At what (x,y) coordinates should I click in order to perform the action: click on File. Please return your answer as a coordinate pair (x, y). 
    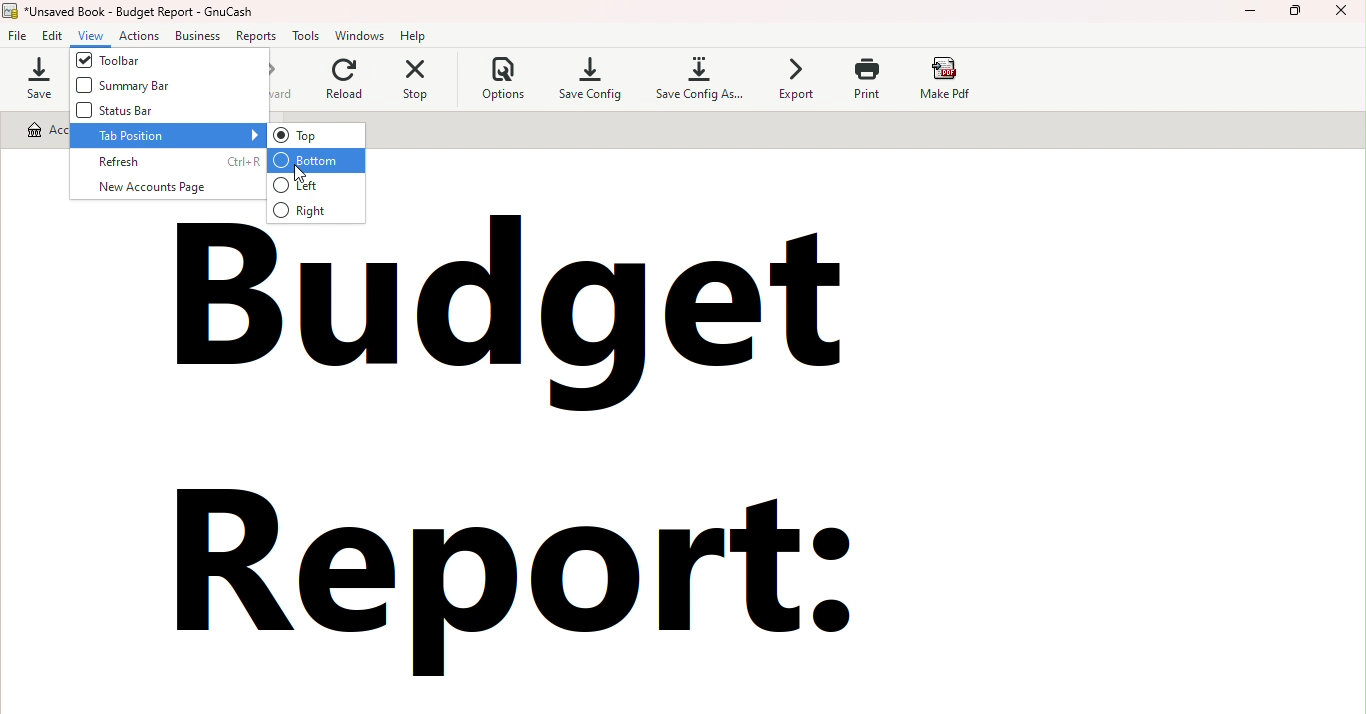
    Looking at the image, I should click on (19, 34).